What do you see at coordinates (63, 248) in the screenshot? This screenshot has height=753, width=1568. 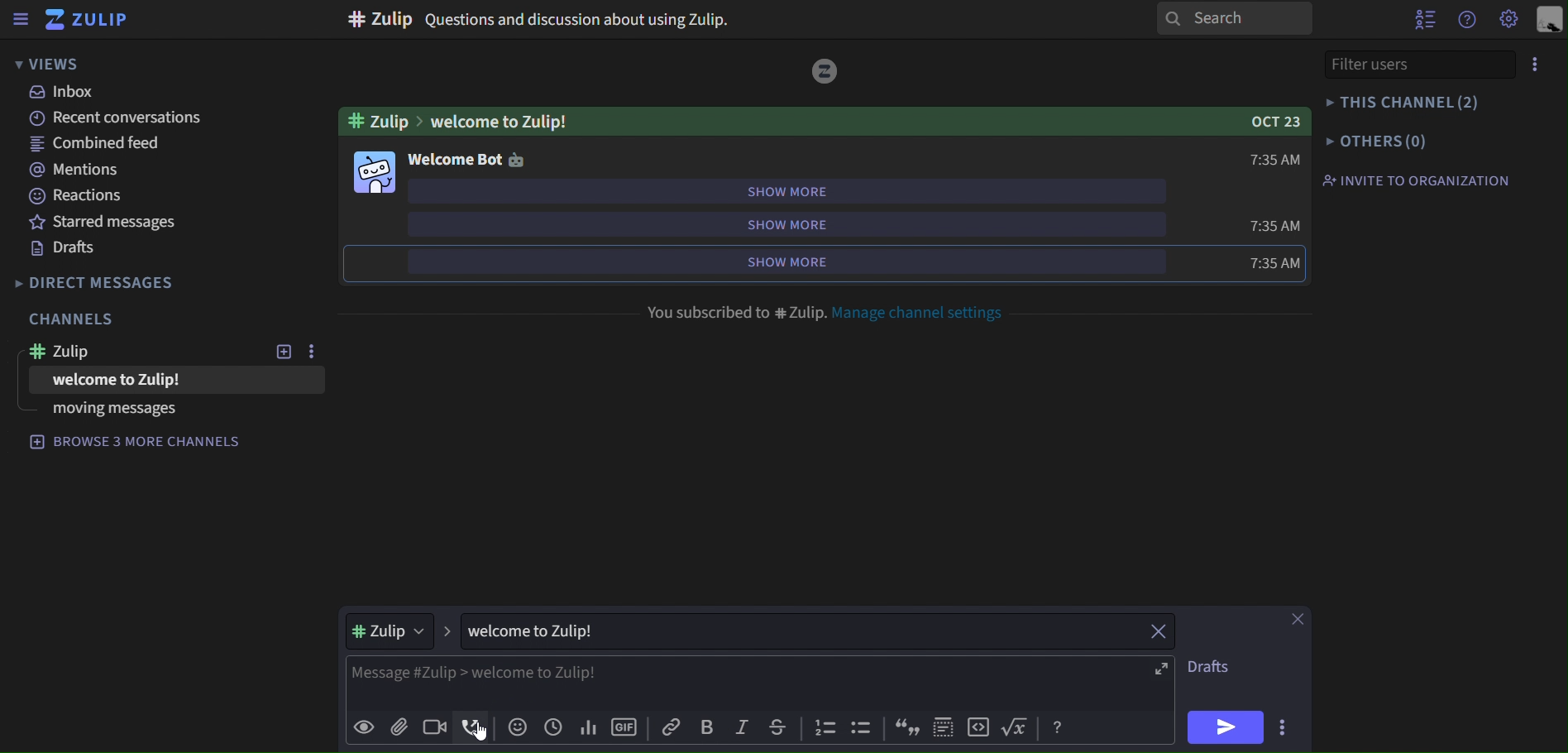 I see `drafts` at bounding box center [63, 248].